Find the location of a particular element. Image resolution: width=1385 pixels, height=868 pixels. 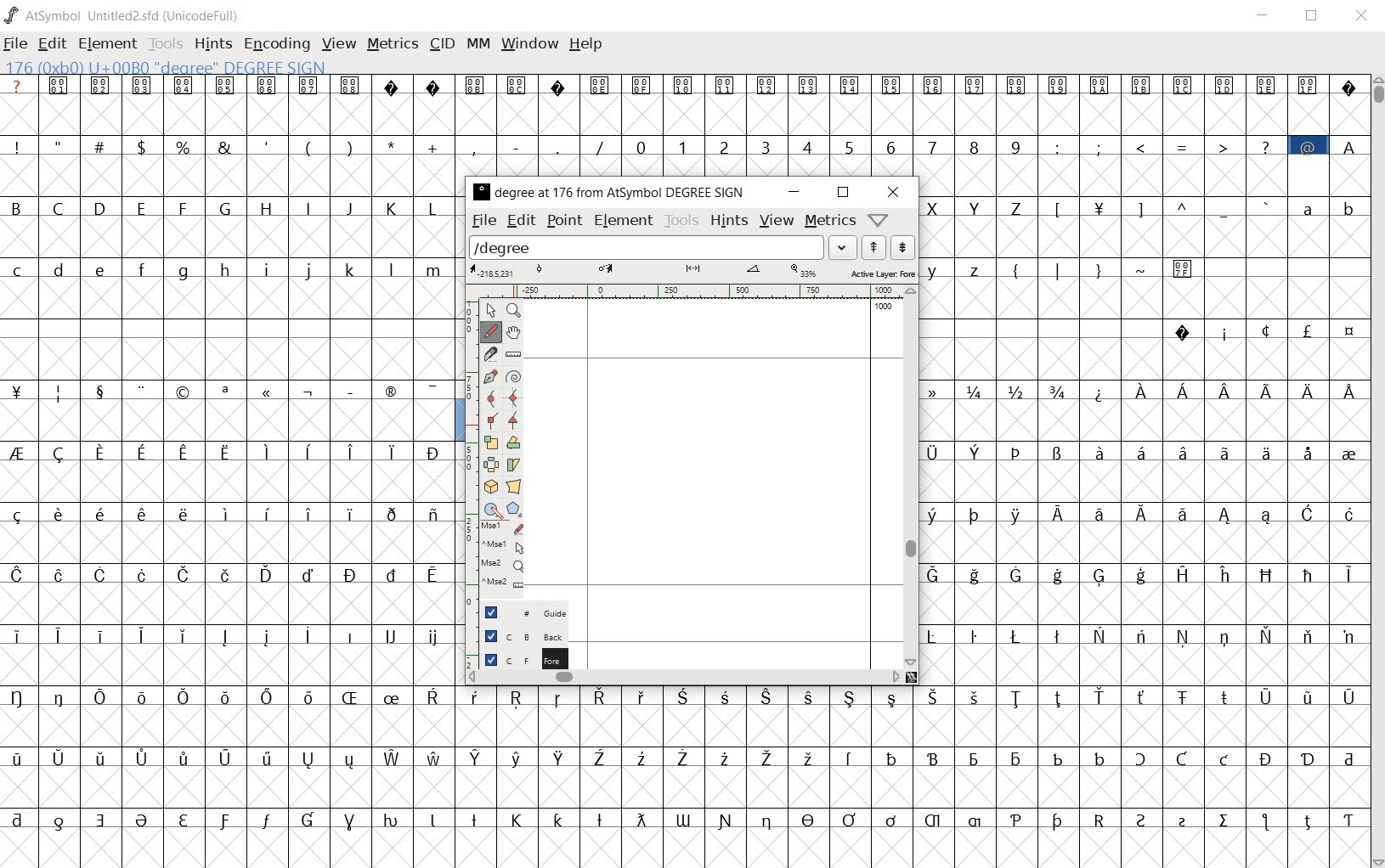

y z is located at coordinates (958, 268).